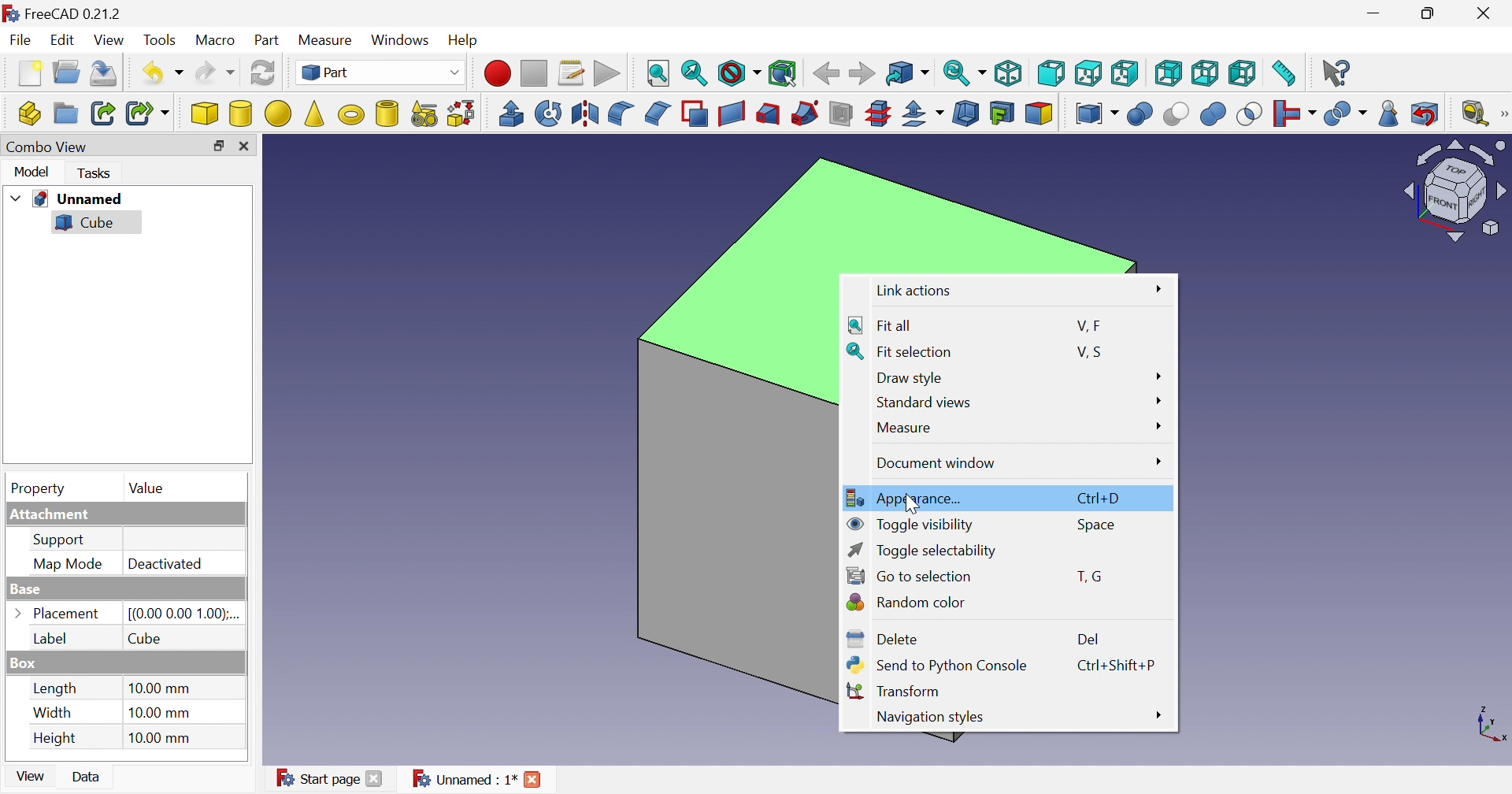  What do you see at coordinates (1141, 113) in the screenshot?
I see `Boolean` at bounding box center [1141, 113].